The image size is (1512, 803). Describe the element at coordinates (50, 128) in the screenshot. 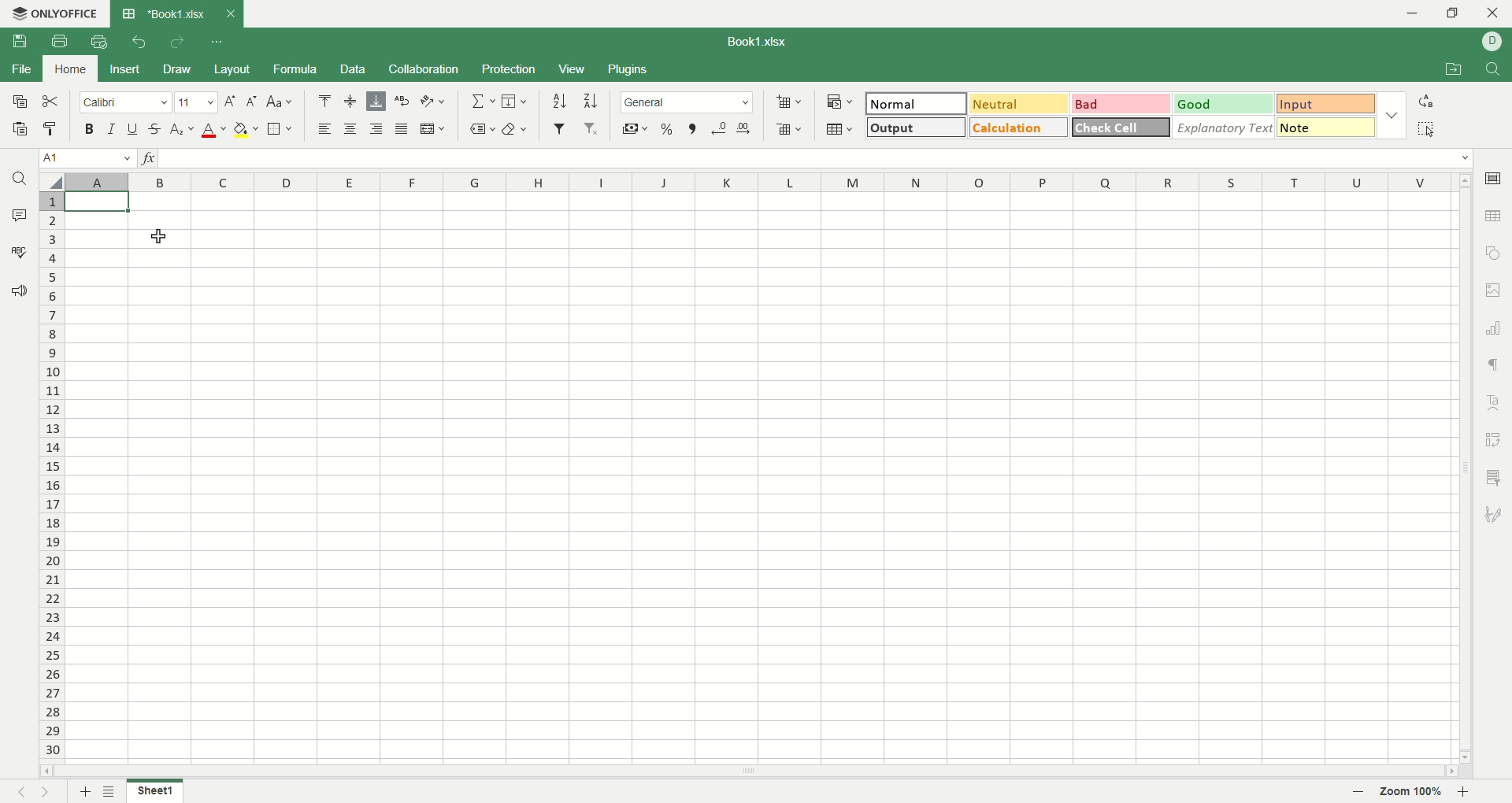

I see `copy style` at that location.